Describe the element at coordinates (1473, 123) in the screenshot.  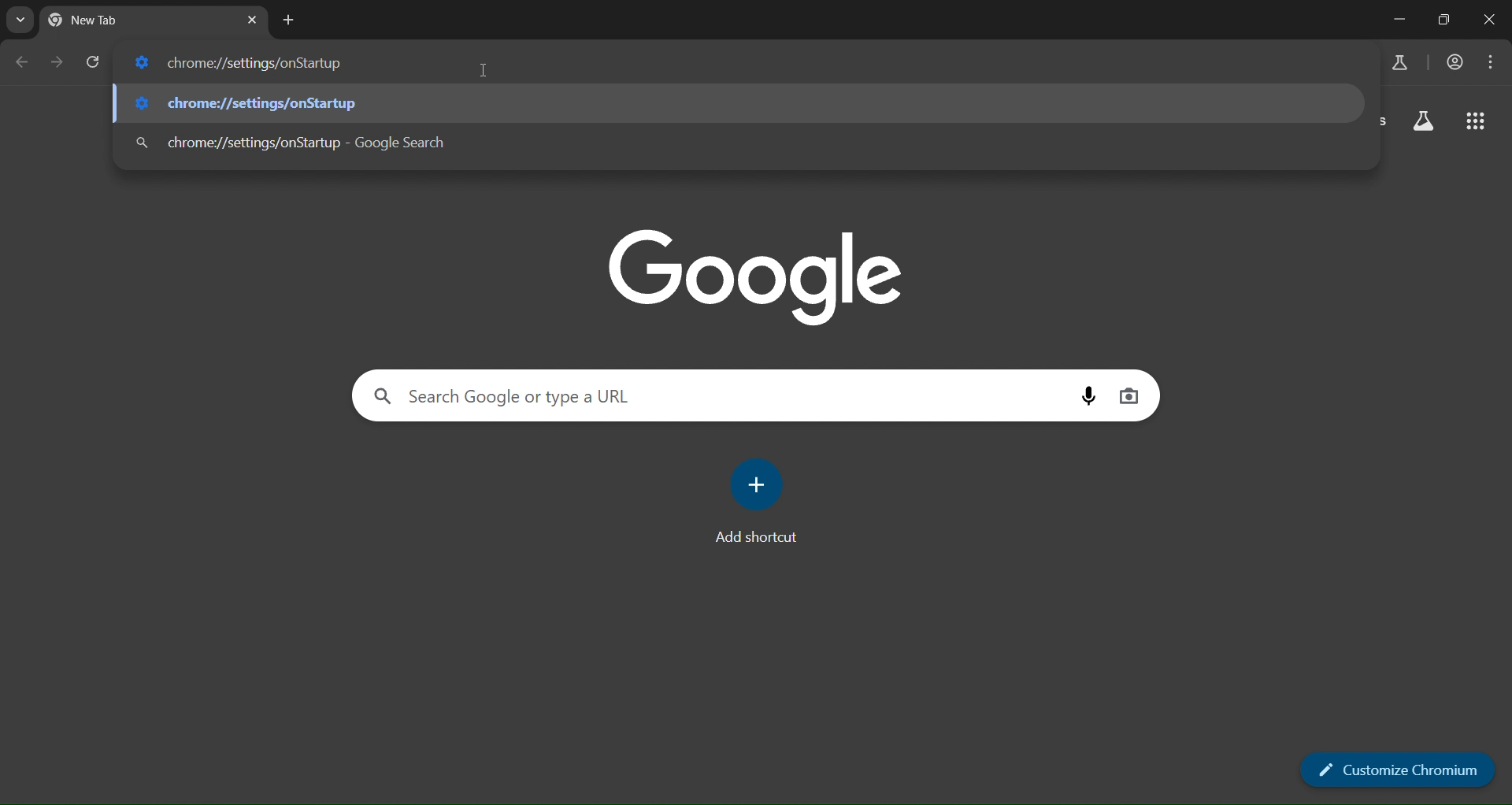
I see `google apps` at that location.